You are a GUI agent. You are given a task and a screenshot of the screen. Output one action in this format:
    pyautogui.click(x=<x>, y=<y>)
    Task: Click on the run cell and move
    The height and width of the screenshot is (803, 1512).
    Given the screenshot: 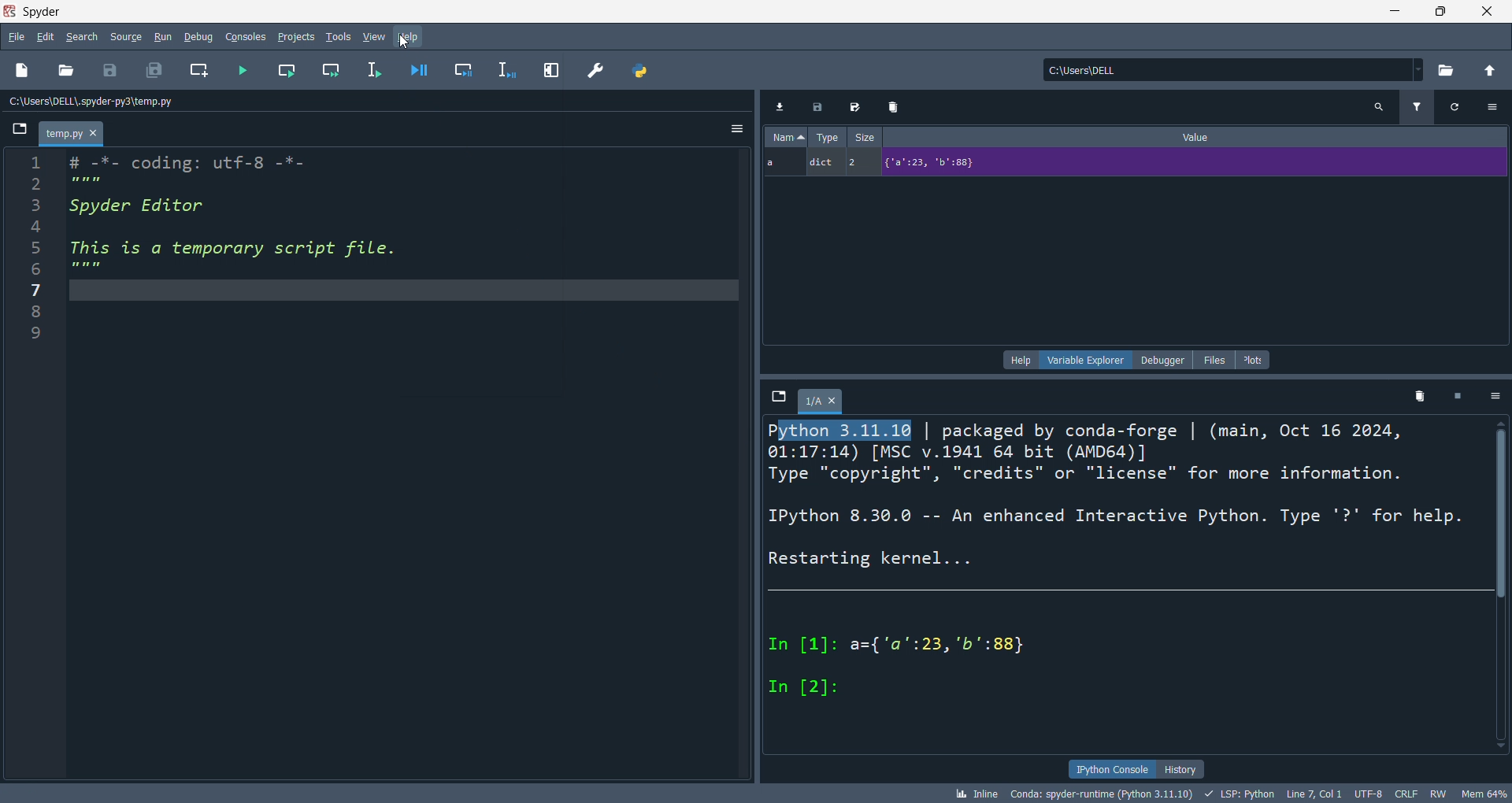 What is the action you would take?
    pyautogui.click(x=334, y=71)
    